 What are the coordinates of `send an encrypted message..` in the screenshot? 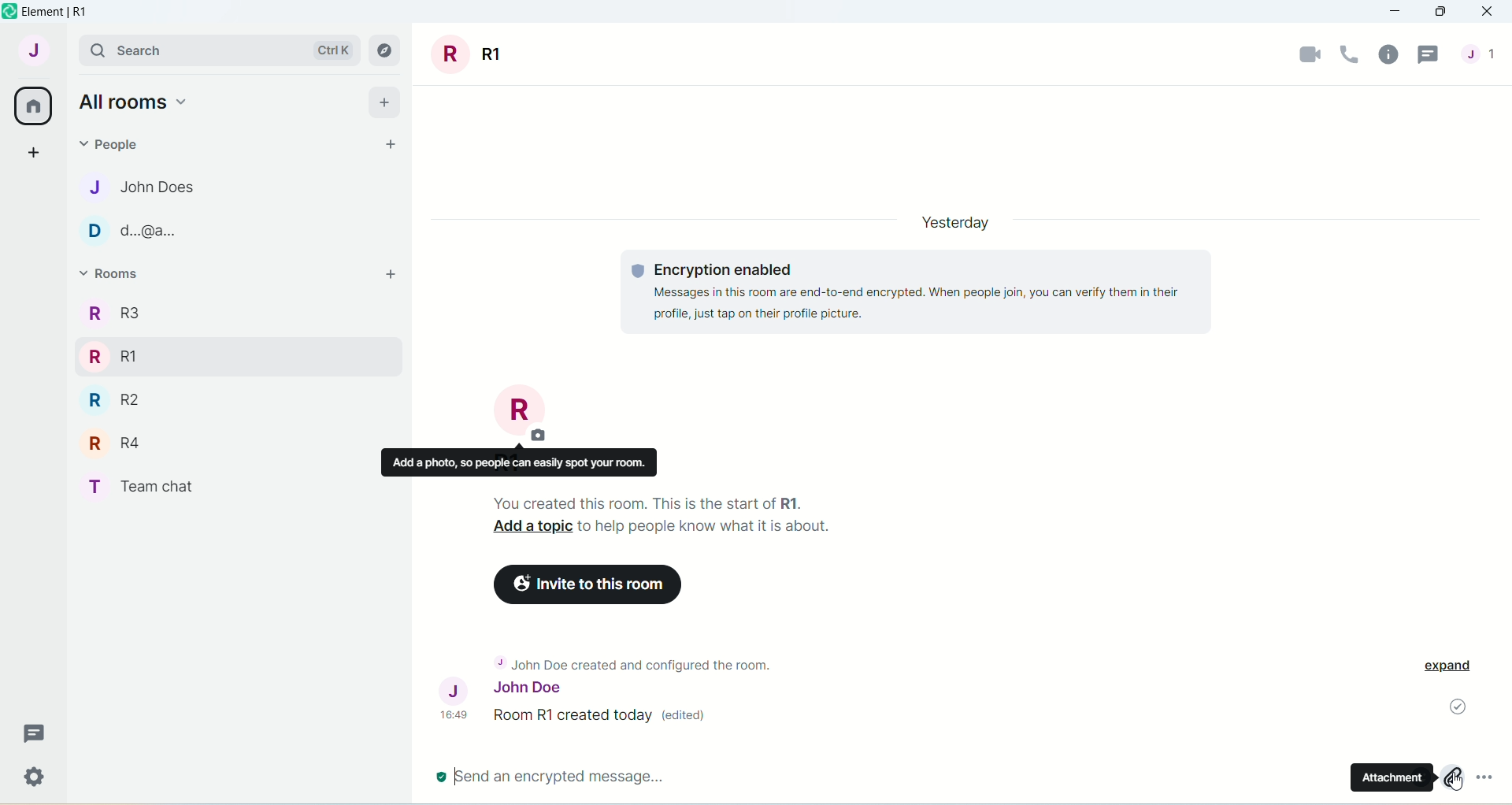 It's located at (551, 776).